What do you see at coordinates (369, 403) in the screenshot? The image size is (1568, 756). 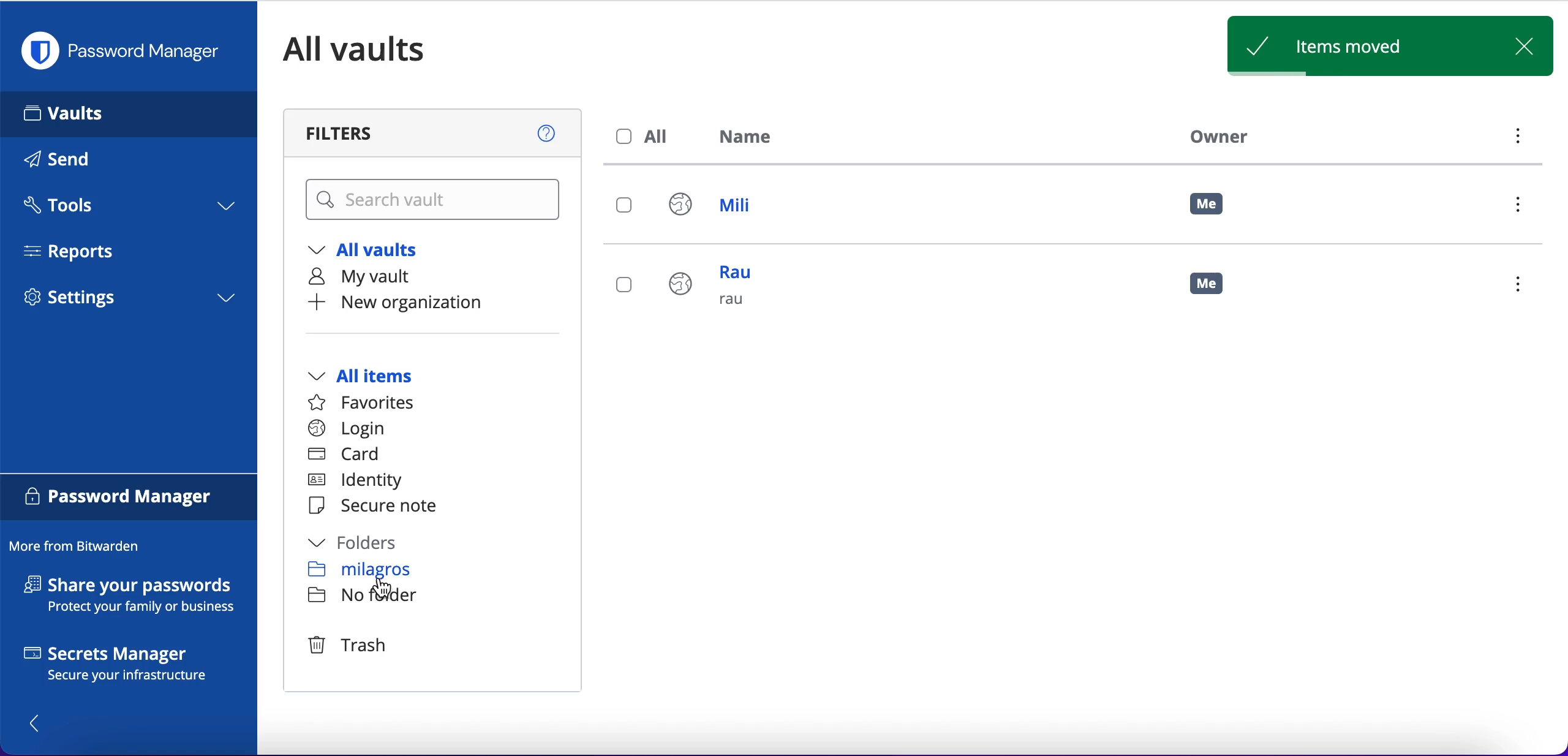 I see `favorites` at bounding box center [369, 403].